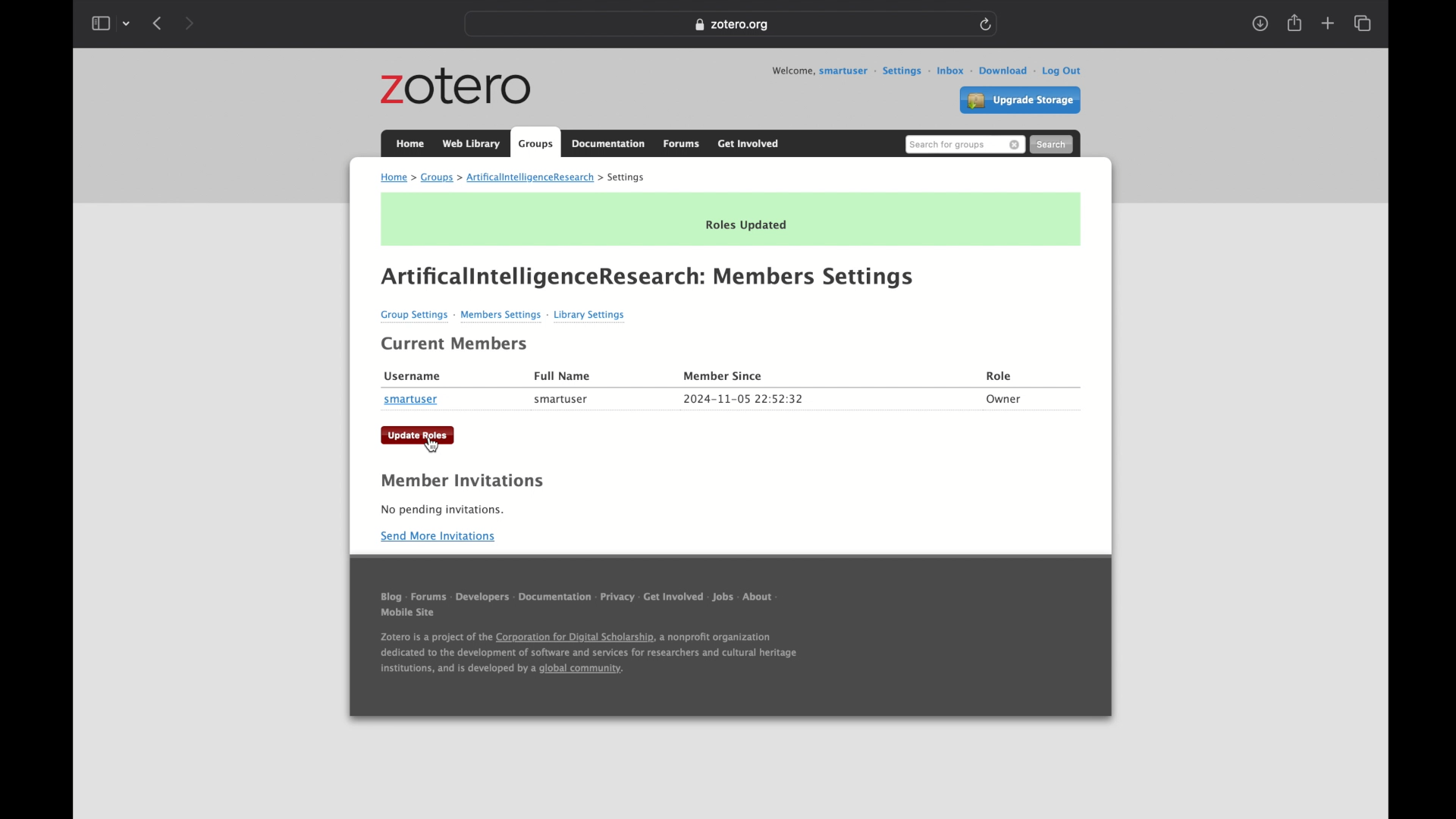 The height and width of the screenshot is (819, 1456). I want to click on Member since, so click(735, 372).